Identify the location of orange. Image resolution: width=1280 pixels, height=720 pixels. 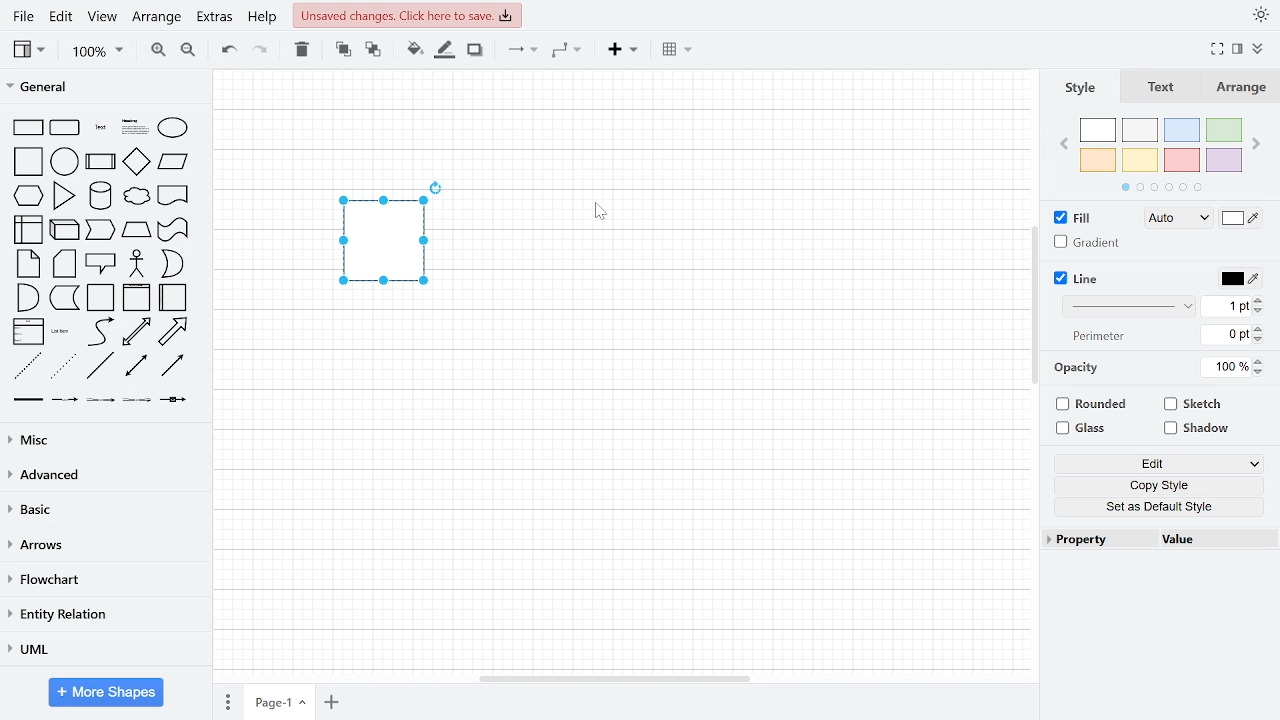
(1098, 161).